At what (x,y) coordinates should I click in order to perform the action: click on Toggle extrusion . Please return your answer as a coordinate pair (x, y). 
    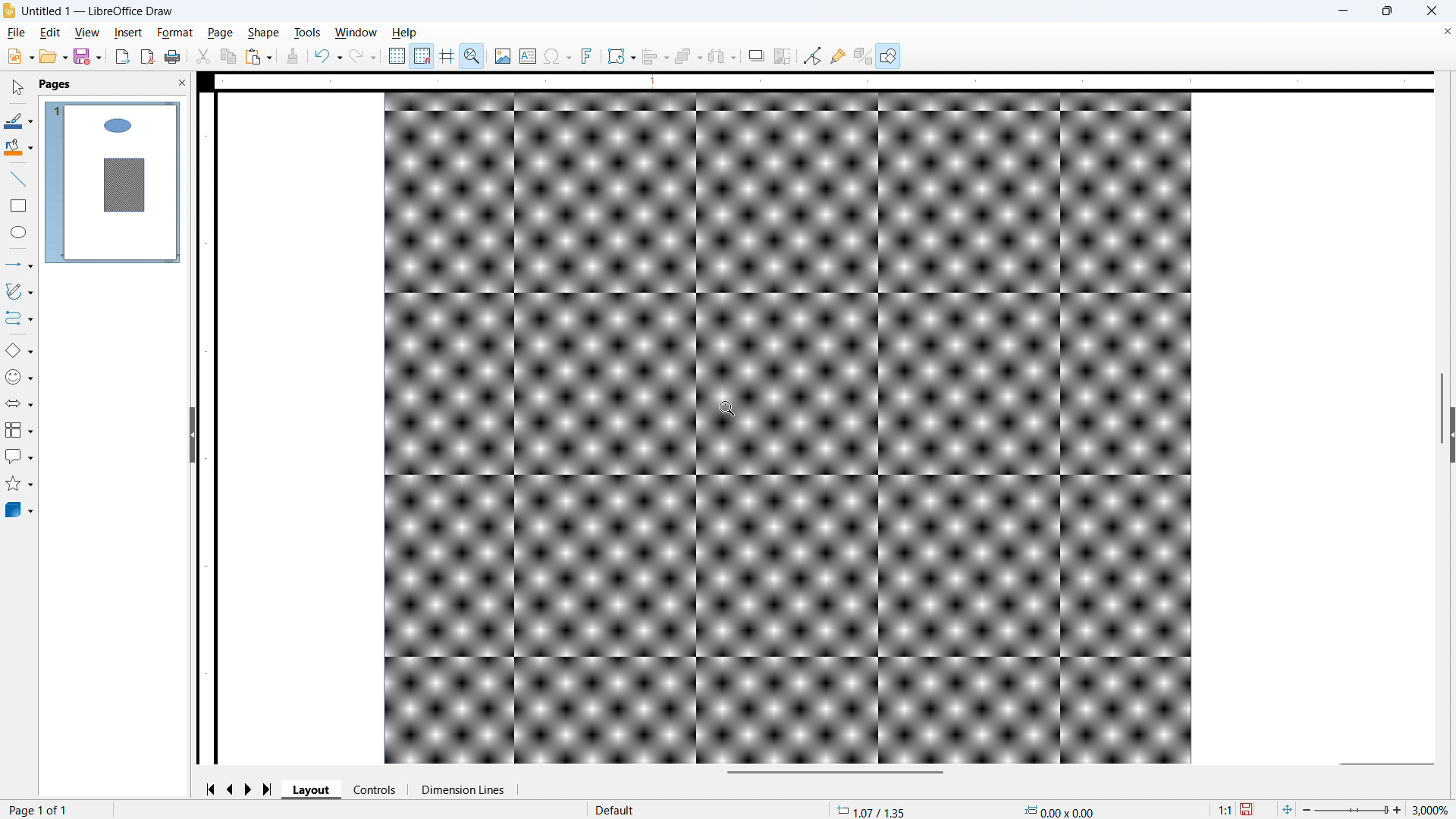
    Looking at the image, I should click on (864, 55).